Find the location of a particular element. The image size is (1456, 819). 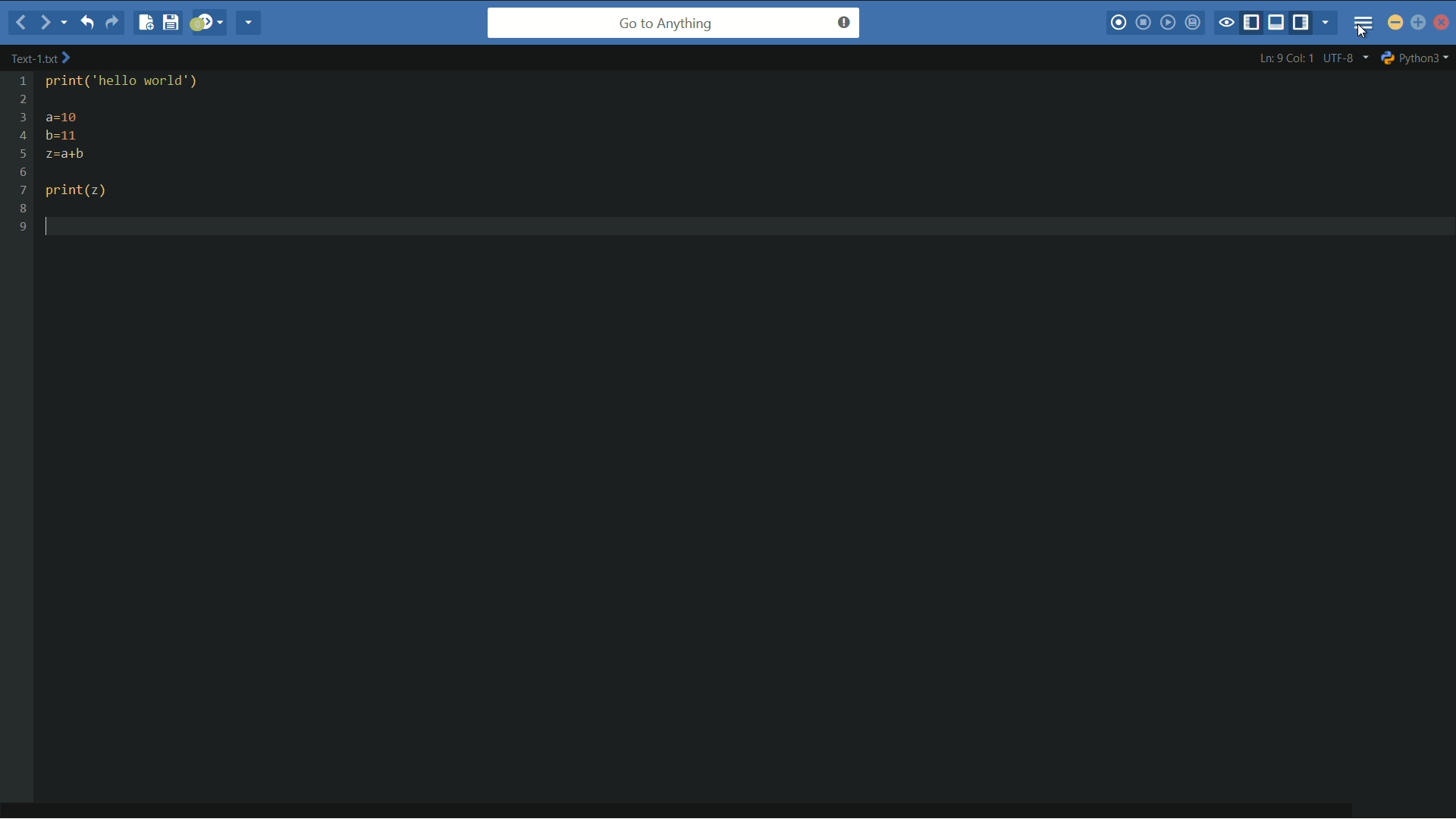

show/hide left pane is located at coordinates (1254, 22).